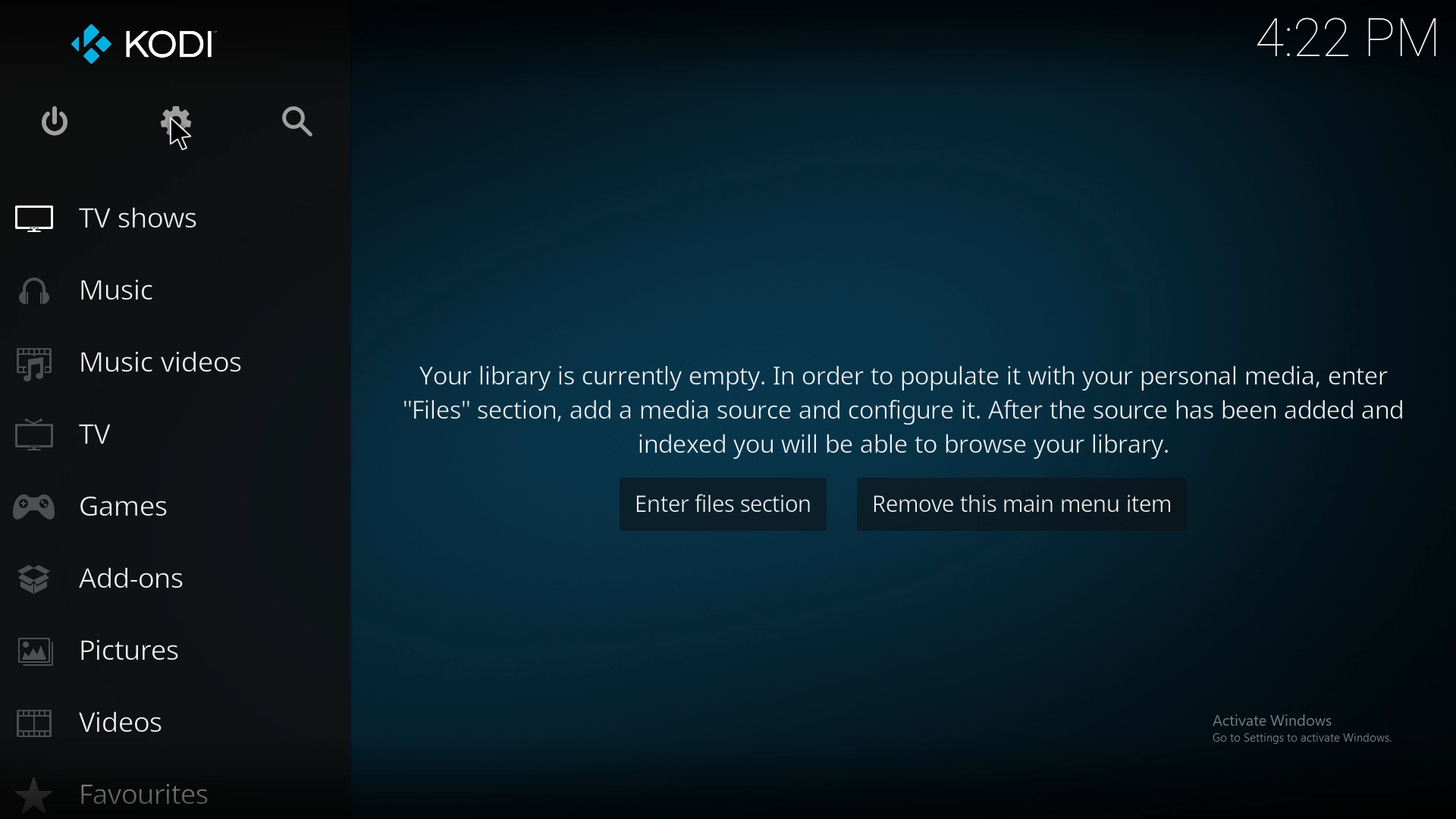  Describe the element at coordinates (158, 47) in the screenshot. I see `kodi` at that location.